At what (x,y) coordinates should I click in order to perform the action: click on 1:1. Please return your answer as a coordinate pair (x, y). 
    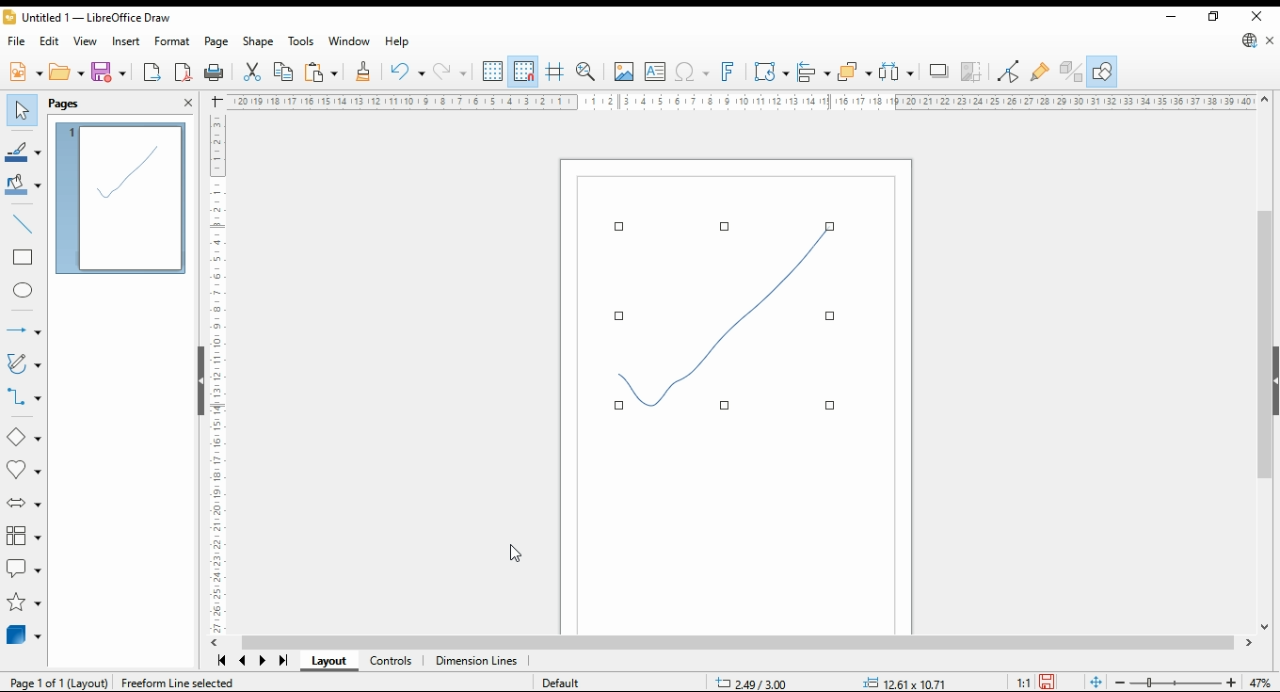
    Looking at the image, I should click on (1018, 684).